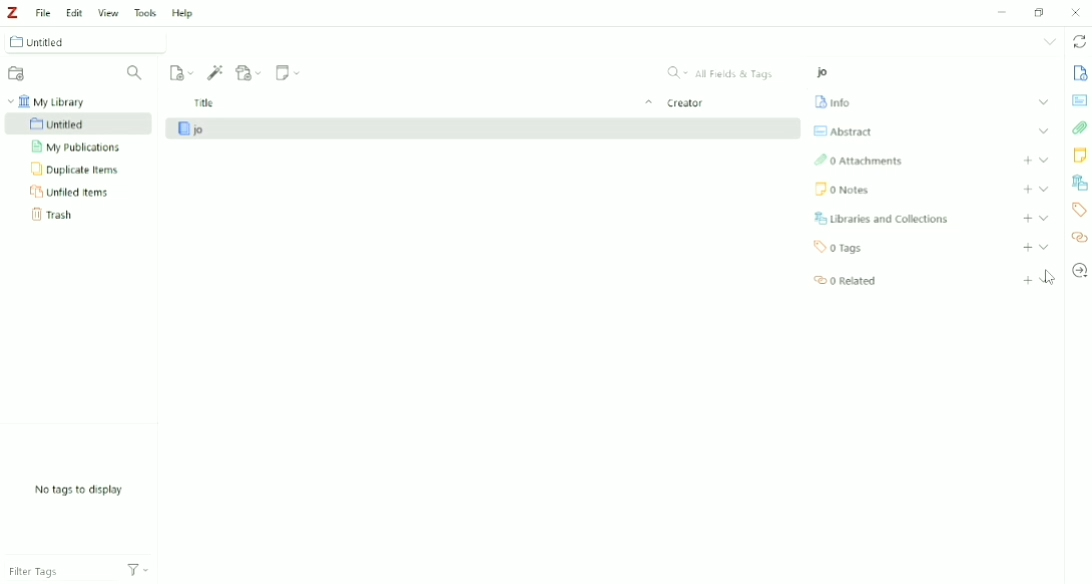 The image size is (1092, 584). I want to click on Libraries and Collections, so click(880, 217).